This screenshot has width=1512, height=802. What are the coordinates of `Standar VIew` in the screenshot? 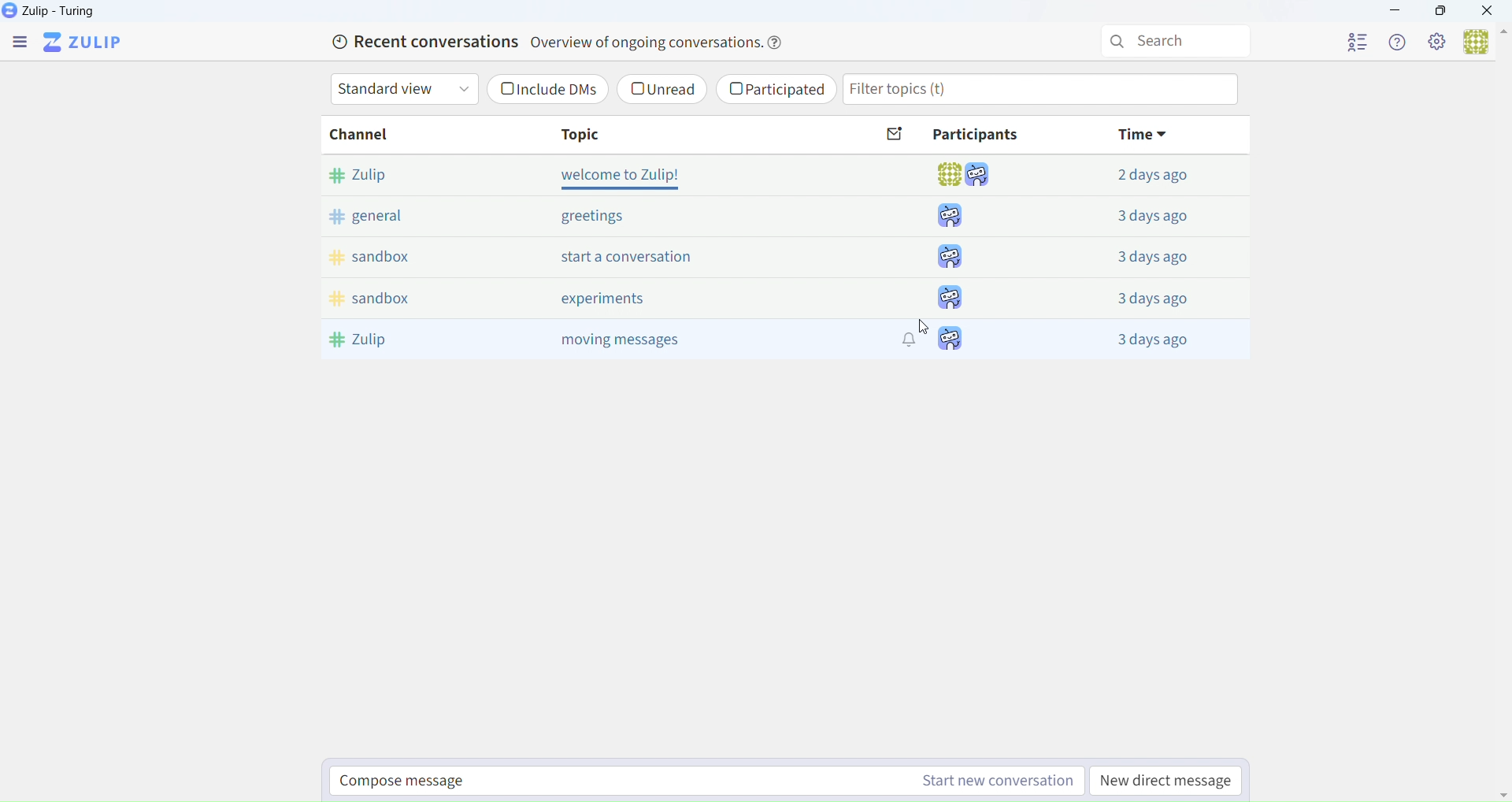 It's located at (404, 91).